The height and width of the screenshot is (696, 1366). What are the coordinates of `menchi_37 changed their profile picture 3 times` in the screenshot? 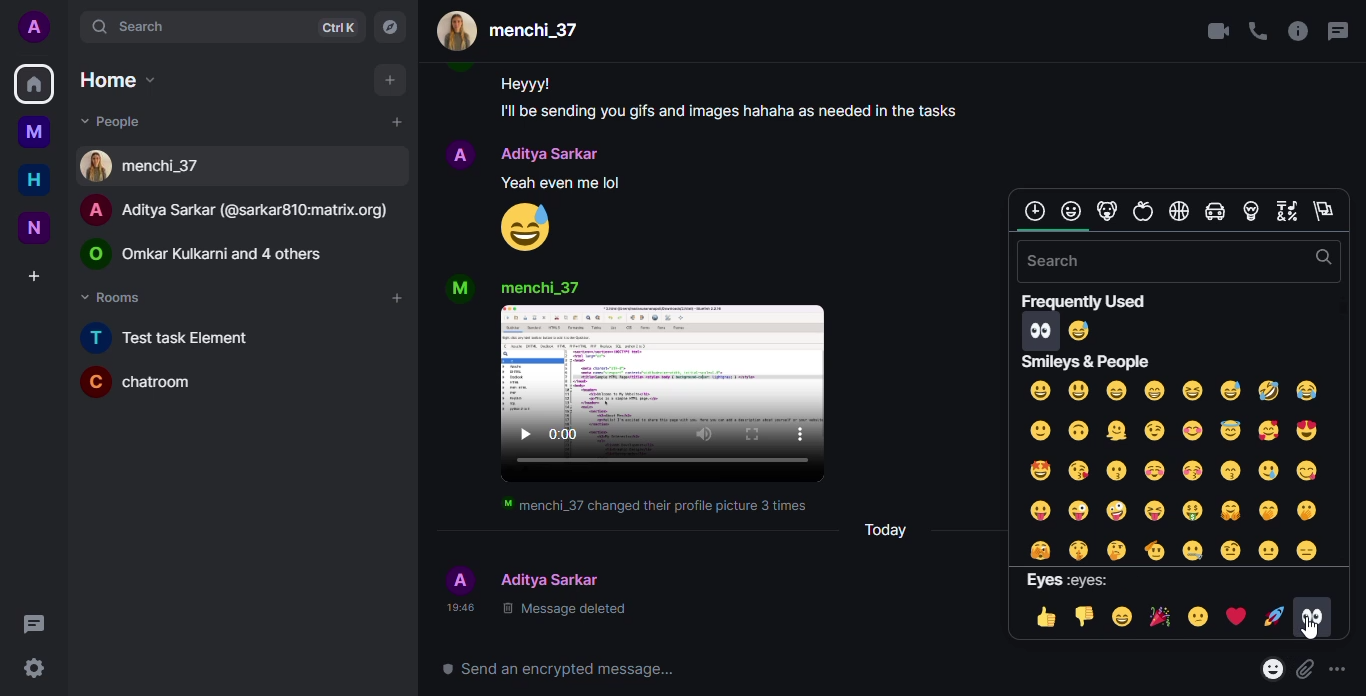 It's located at (653, 506).